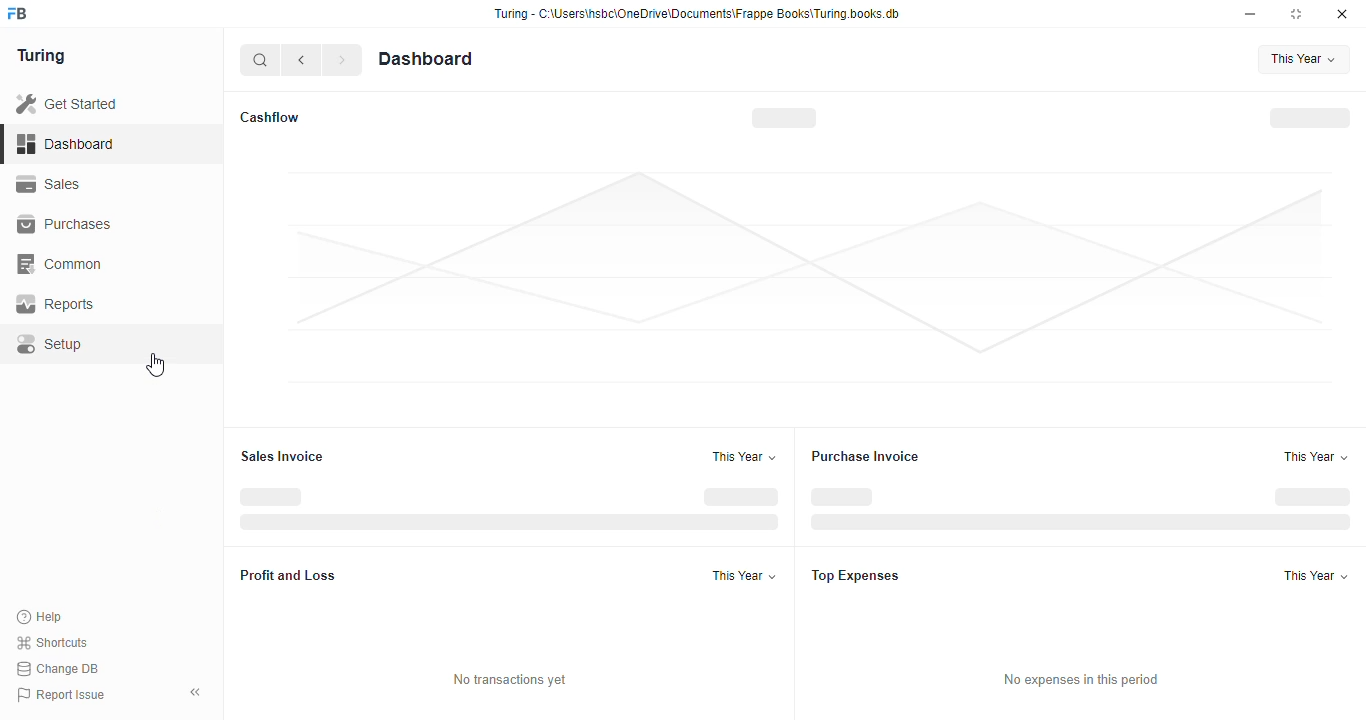 Image resolution: width=1366 pixels, height=720 pixels. What do you see at coordinates (744, 456) in the screenshot?
I see `this year` at bounding box center [744, 456].